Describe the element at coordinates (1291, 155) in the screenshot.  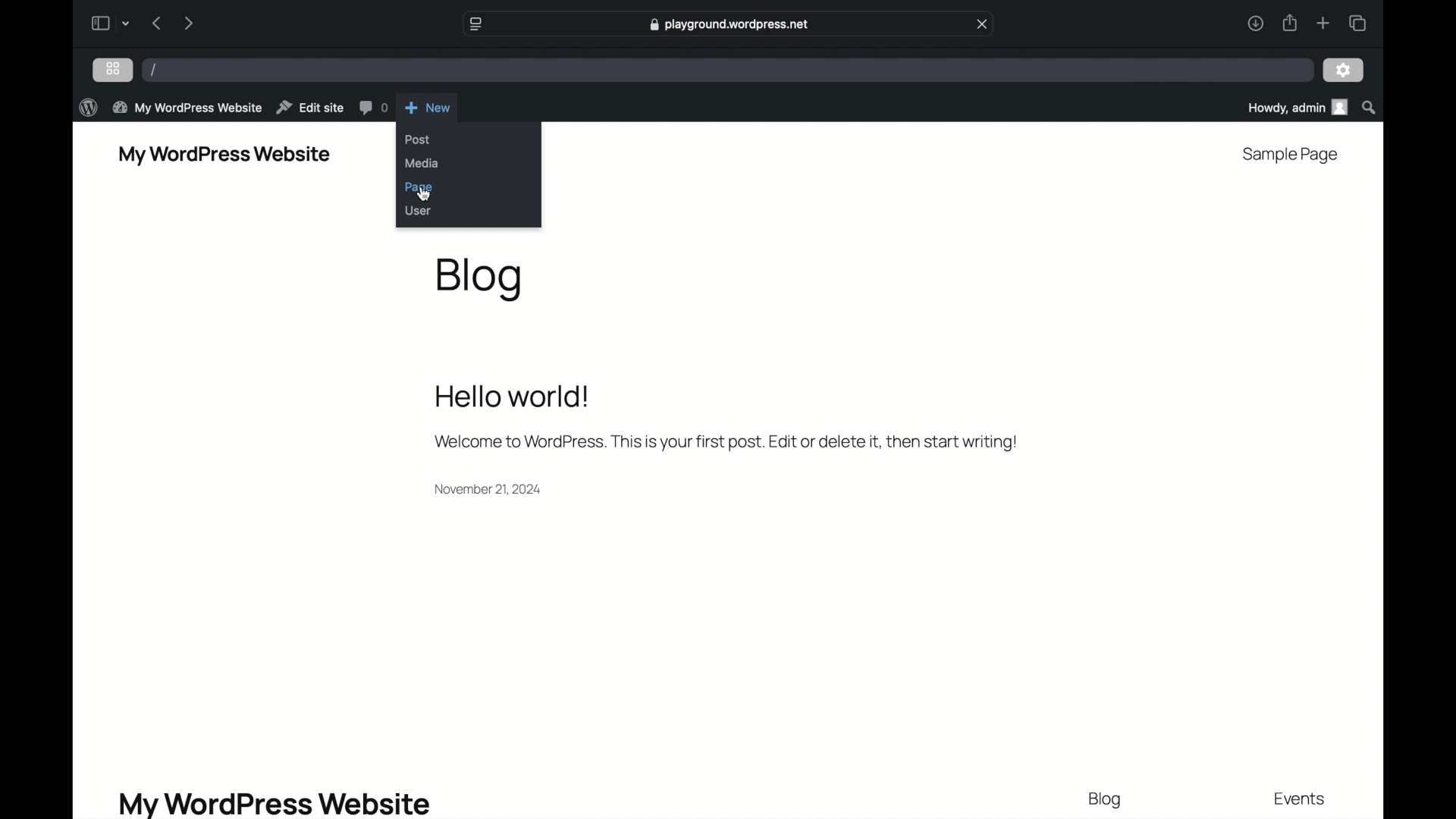
I see `sample page` at that location.